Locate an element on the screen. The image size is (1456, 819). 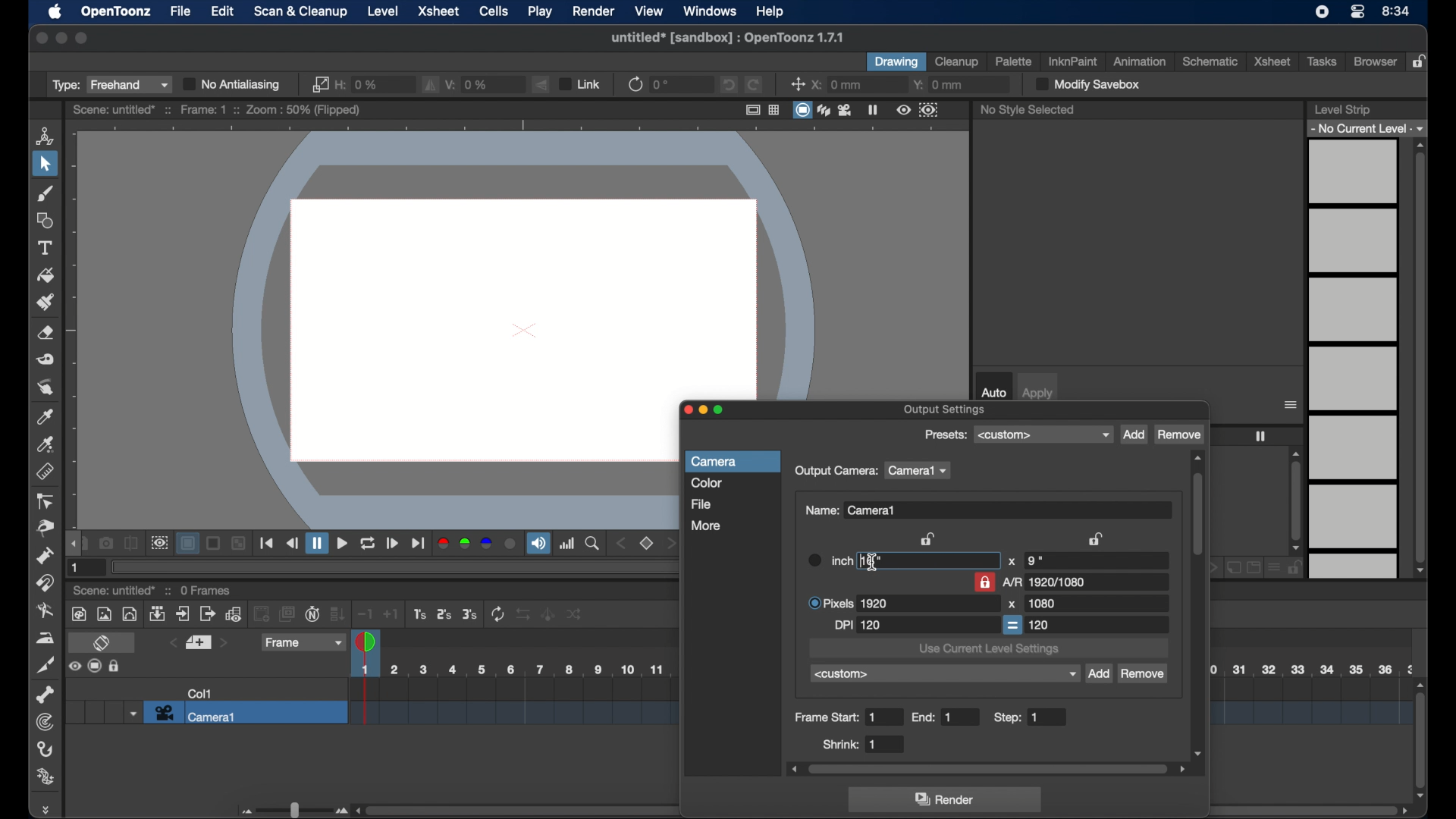
apply is located at coordinates (1038, 394).